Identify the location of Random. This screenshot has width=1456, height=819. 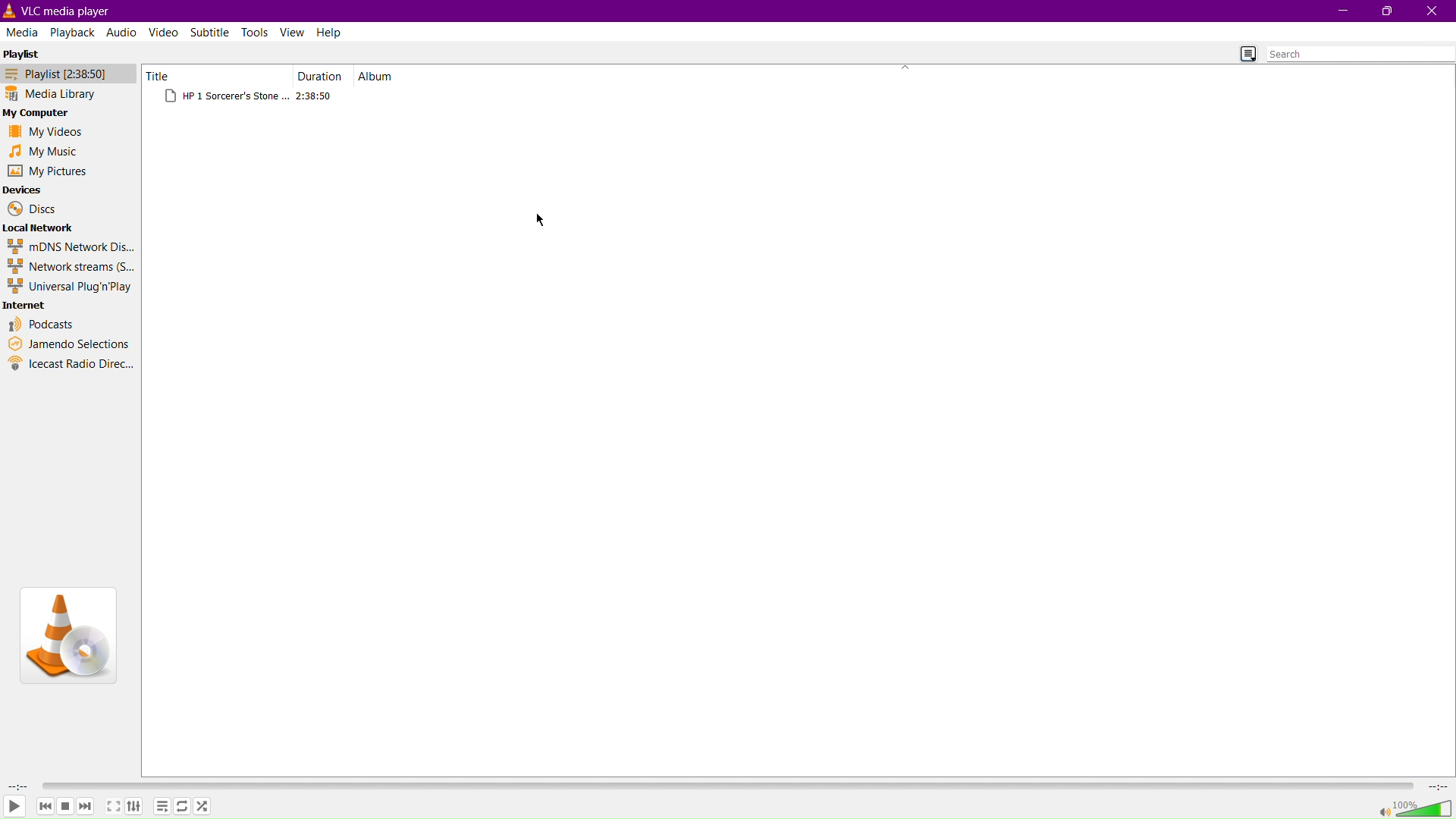
(202, 806).